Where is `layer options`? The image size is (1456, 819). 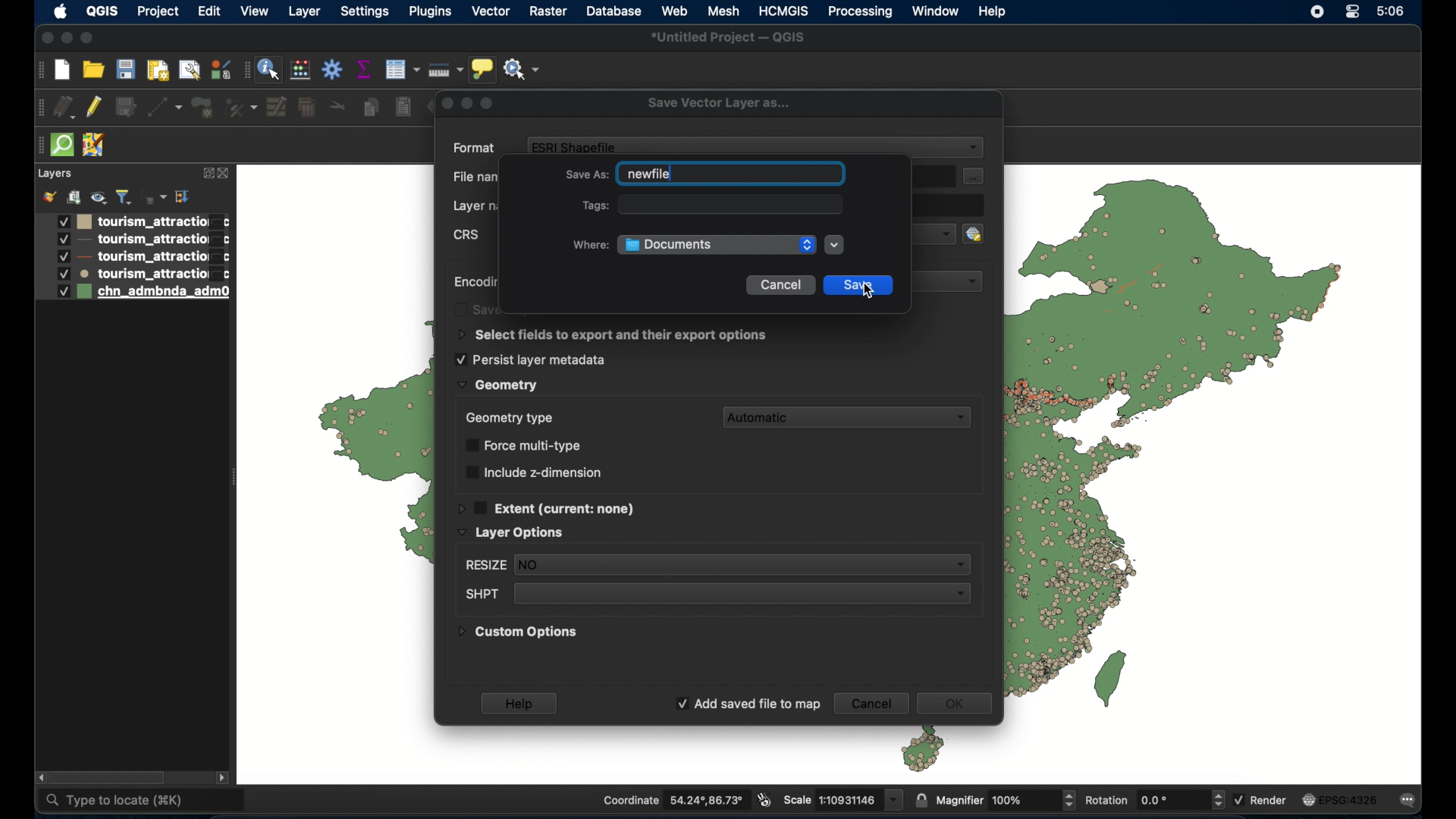 layer options is located at coordinates (511, 533).